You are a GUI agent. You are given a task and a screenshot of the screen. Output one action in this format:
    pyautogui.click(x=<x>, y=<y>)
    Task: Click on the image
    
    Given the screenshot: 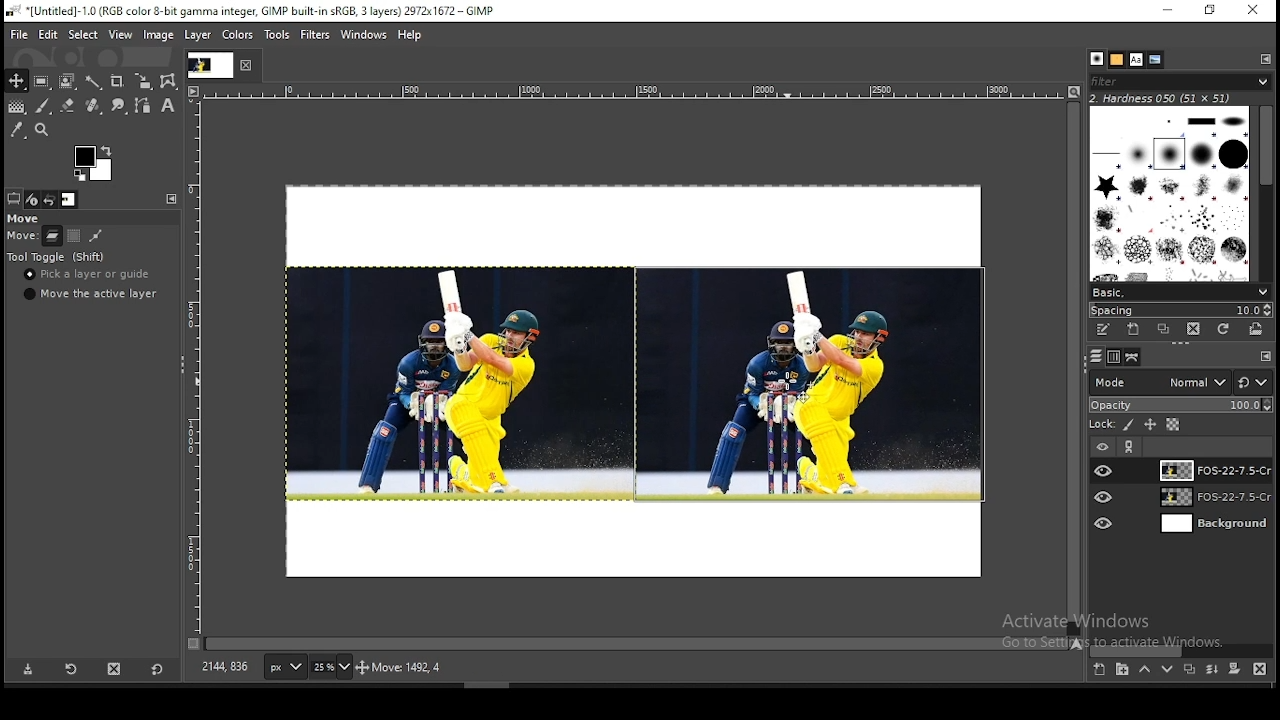 What is the action you would take?
    pyautogui.click(x=456, y=383)
    